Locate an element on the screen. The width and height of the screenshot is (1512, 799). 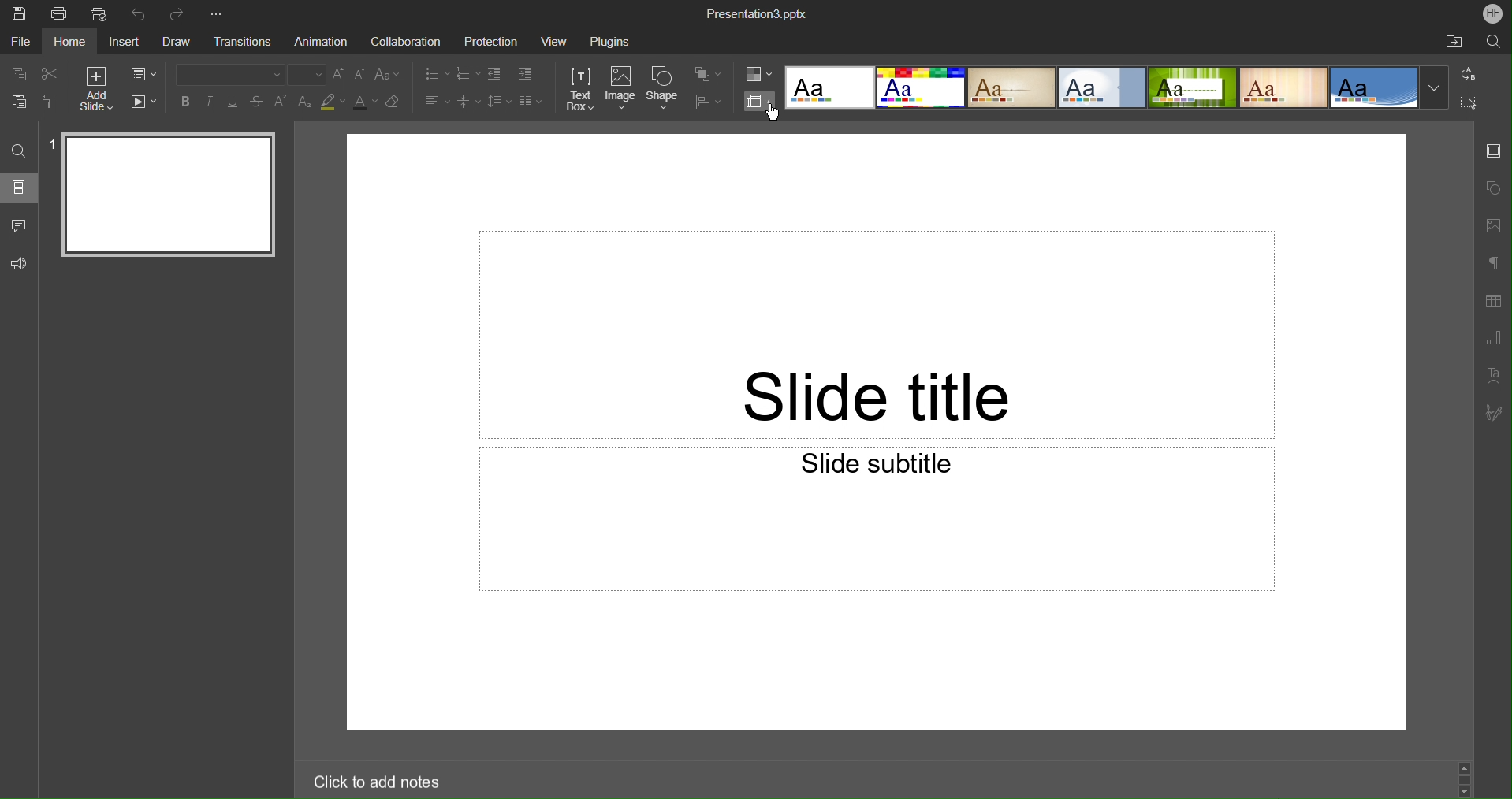
Transitions is located at coordinates (247, 41).